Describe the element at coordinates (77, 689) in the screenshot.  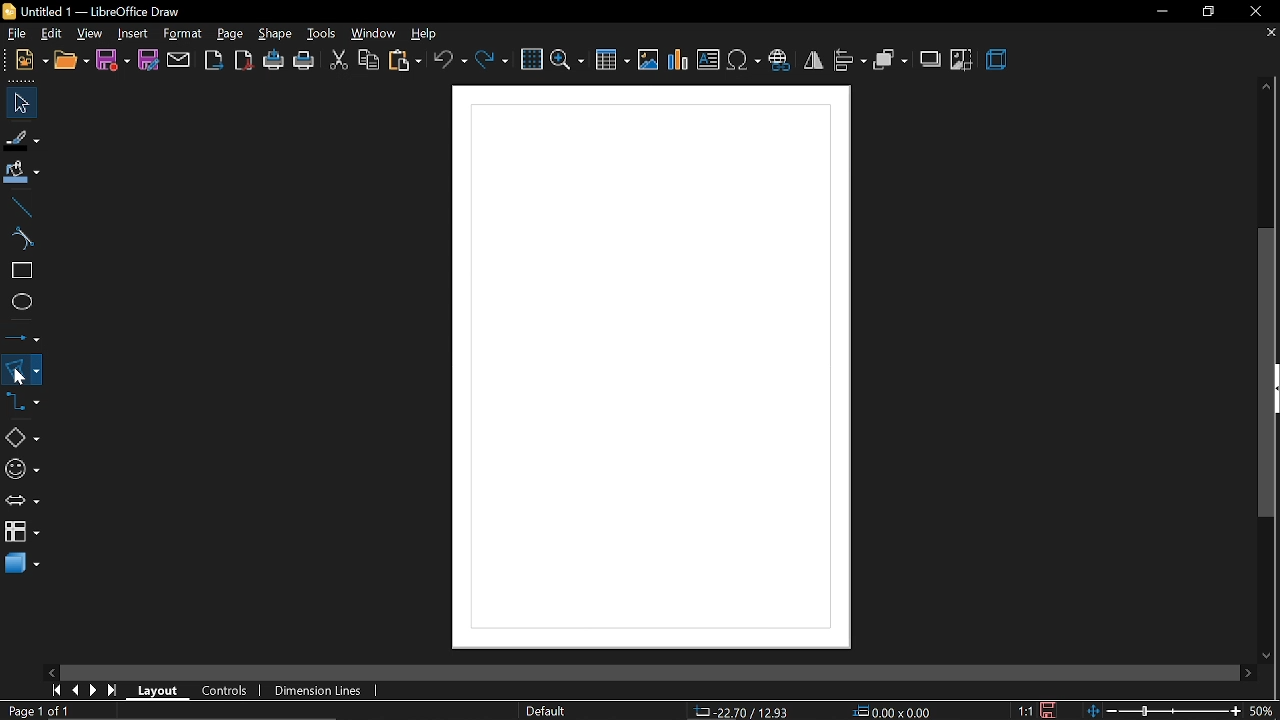
I see `previous page` at that location.